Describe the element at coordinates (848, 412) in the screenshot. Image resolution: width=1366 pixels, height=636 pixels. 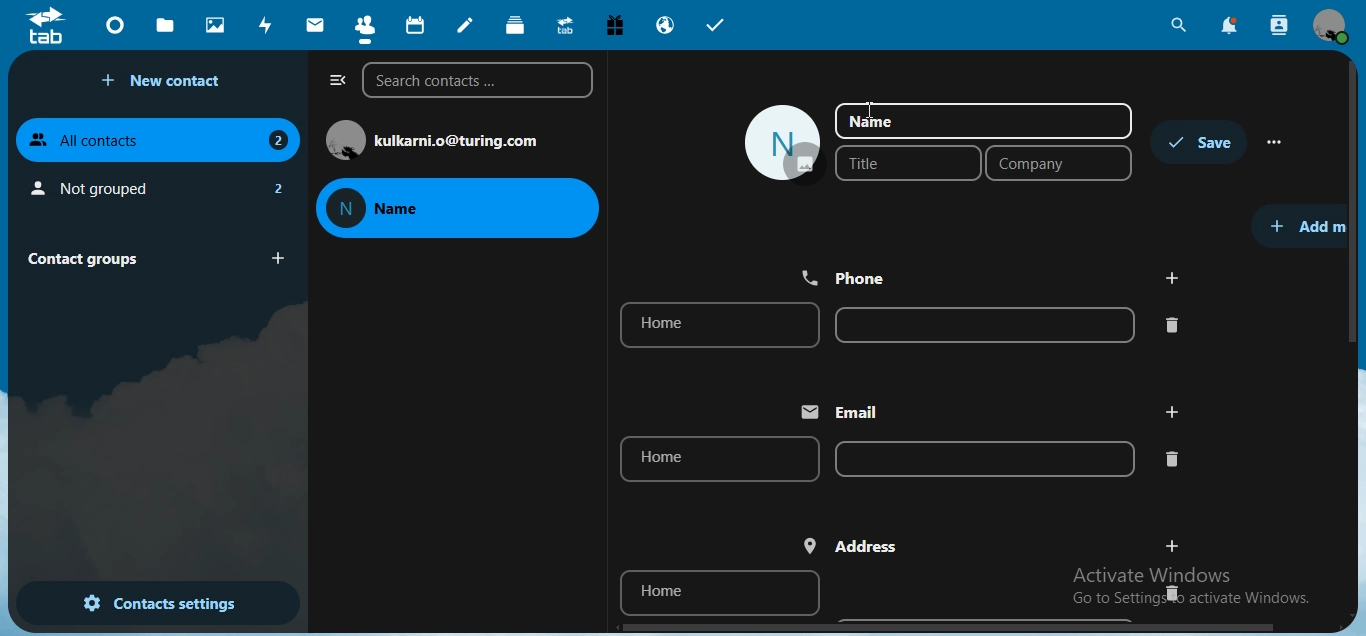
I see `eamil` at that location.